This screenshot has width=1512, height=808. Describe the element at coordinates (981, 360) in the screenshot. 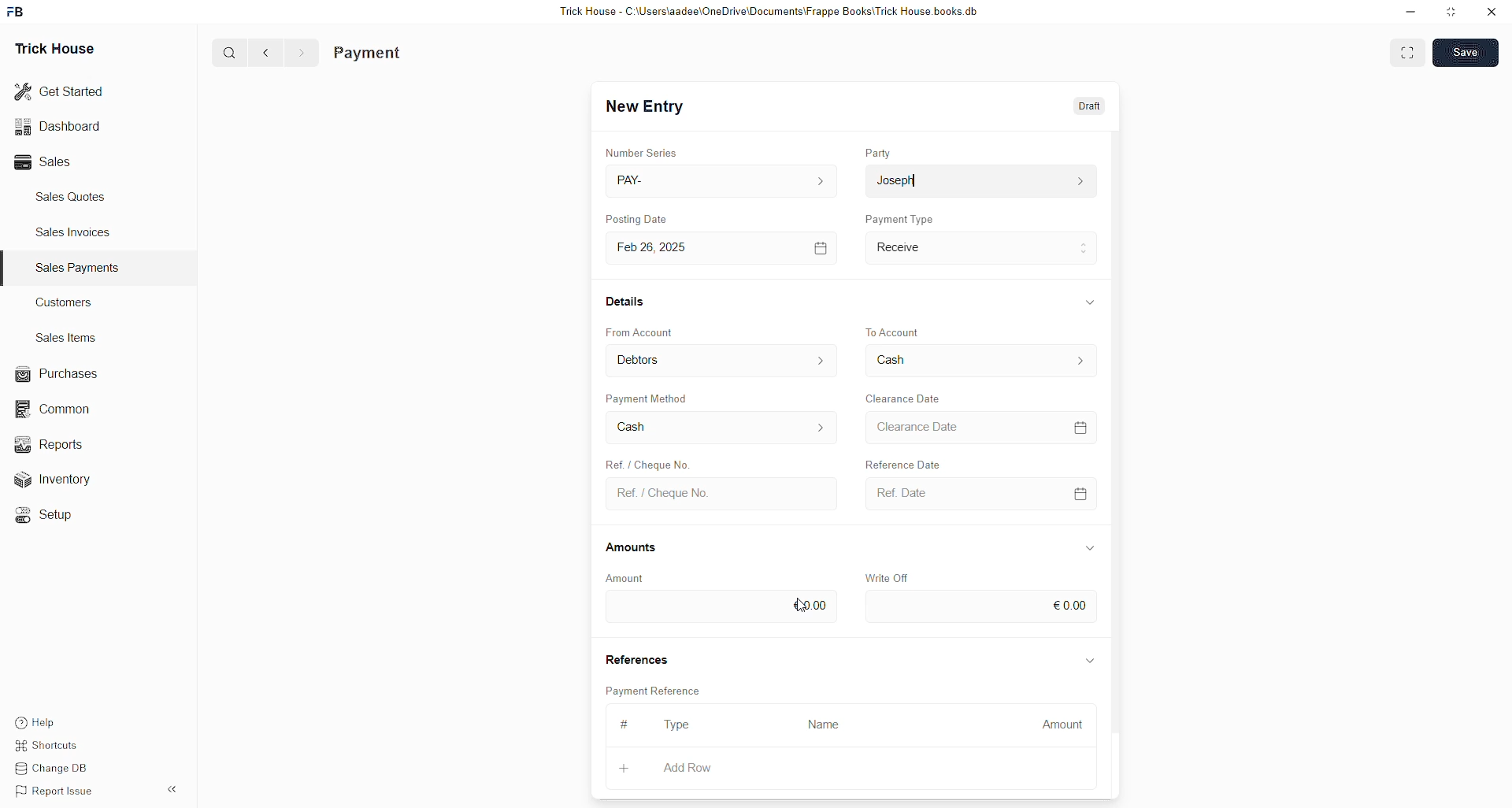

I see `To Account` at that location.